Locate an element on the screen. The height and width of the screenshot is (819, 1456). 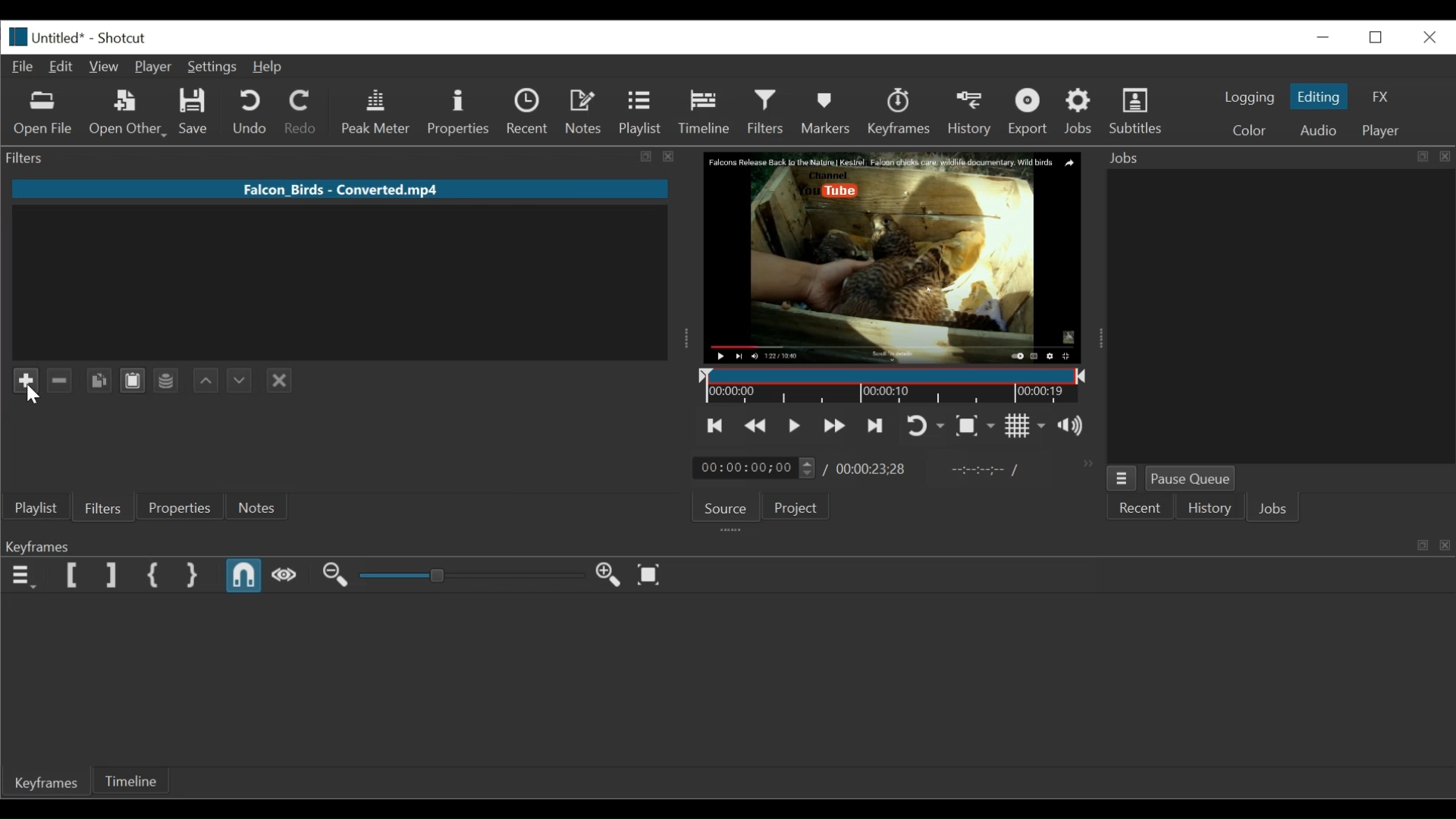
Help is located at coordinates (272, 67).